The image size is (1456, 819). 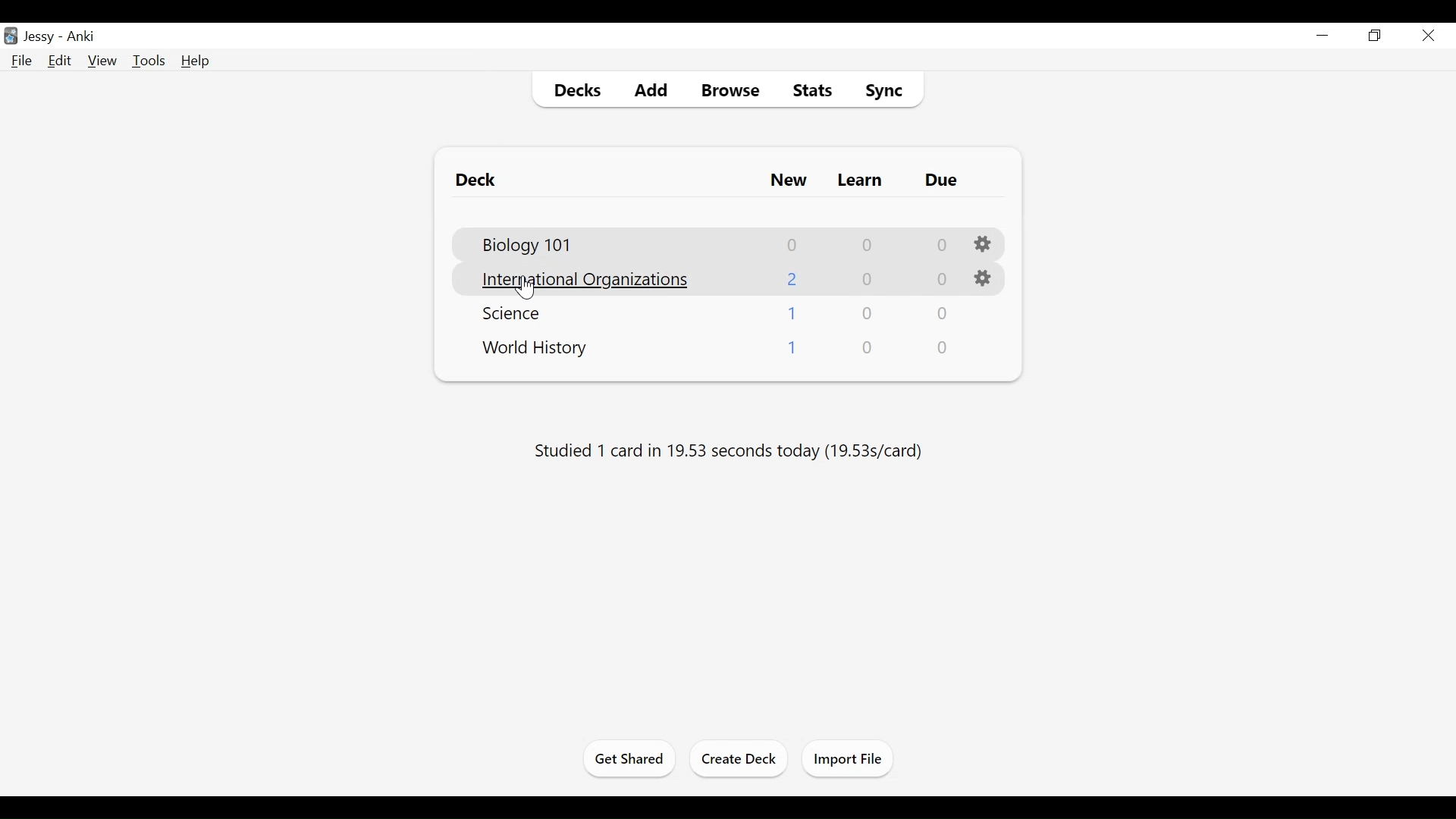 What do you see at coordinates (85, 37) in the screenshot?
I see `Anki` at bounding box center [85, 37].